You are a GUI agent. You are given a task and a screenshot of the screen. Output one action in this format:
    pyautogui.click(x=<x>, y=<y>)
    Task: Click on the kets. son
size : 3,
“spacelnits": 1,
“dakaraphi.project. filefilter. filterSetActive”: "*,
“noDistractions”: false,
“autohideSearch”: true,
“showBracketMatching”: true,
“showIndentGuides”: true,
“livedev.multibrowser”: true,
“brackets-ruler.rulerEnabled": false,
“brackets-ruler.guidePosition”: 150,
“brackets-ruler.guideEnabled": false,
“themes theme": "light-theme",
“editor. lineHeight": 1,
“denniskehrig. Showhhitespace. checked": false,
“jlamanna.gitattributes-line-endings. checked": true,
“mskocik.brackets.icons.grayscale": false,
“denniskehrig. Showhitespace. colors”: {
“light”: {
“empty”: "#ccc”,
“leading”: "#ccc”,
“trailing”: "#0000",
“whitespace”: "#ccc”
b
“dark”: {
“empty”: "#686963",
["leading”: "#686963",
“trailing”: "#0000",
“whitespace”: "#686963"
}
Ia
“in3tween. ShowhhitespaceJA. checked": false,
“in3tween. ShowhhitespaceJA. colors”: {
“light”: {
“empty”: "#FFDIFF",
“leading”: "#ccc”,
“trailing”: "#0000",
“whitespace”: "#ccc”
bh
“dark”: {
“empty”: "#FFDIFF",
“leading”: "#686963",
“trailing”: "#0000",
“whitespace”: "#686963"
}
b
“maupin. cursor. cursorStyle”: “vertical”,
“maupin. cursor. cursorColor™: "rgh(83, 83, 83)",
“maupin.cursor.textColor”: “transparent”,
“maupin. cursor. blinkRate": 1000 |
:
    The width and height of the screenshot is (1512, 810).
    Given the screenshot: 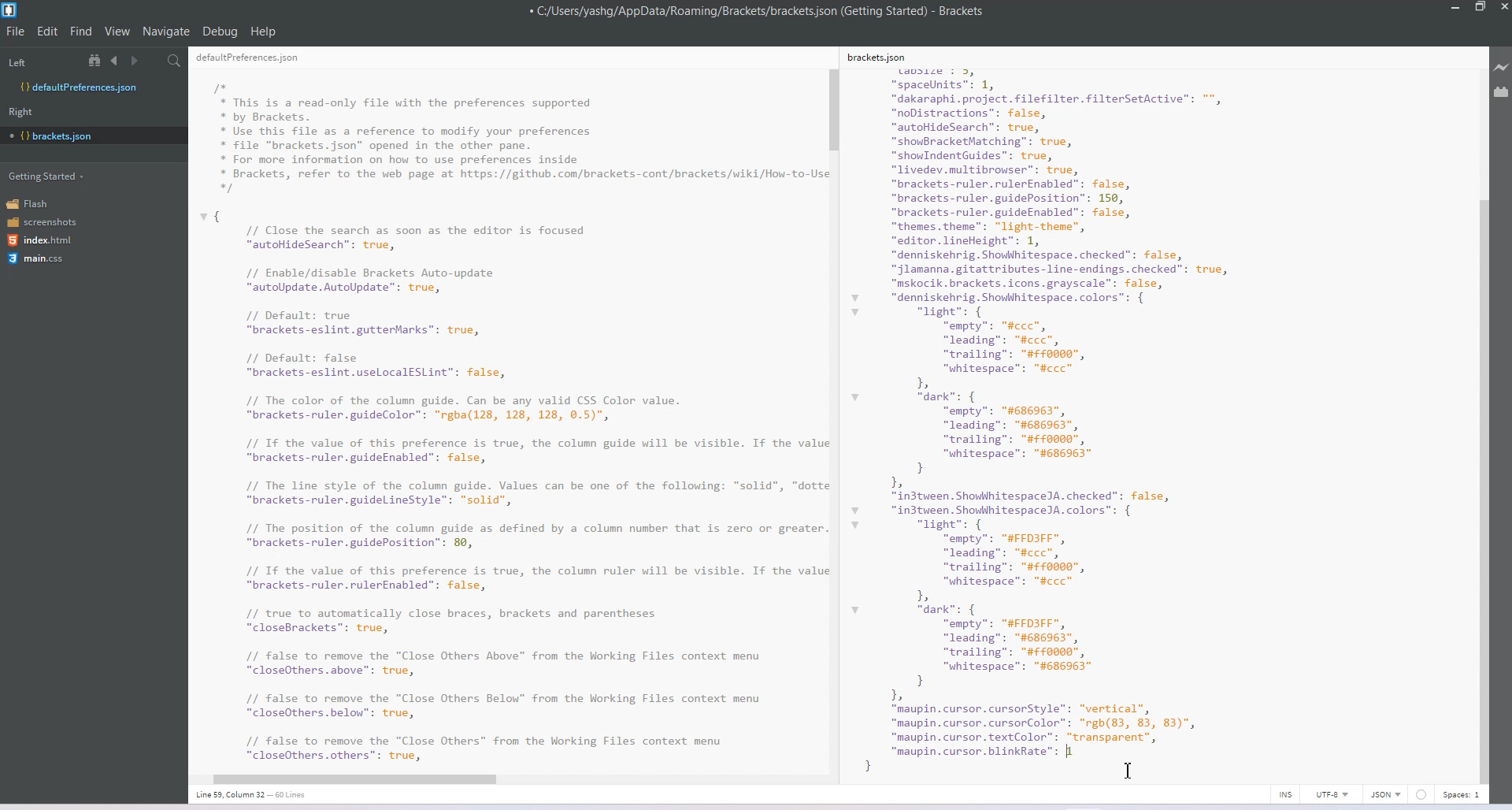 What is the action you would take?
    pyautogui.click(x=1076, y=411)
    